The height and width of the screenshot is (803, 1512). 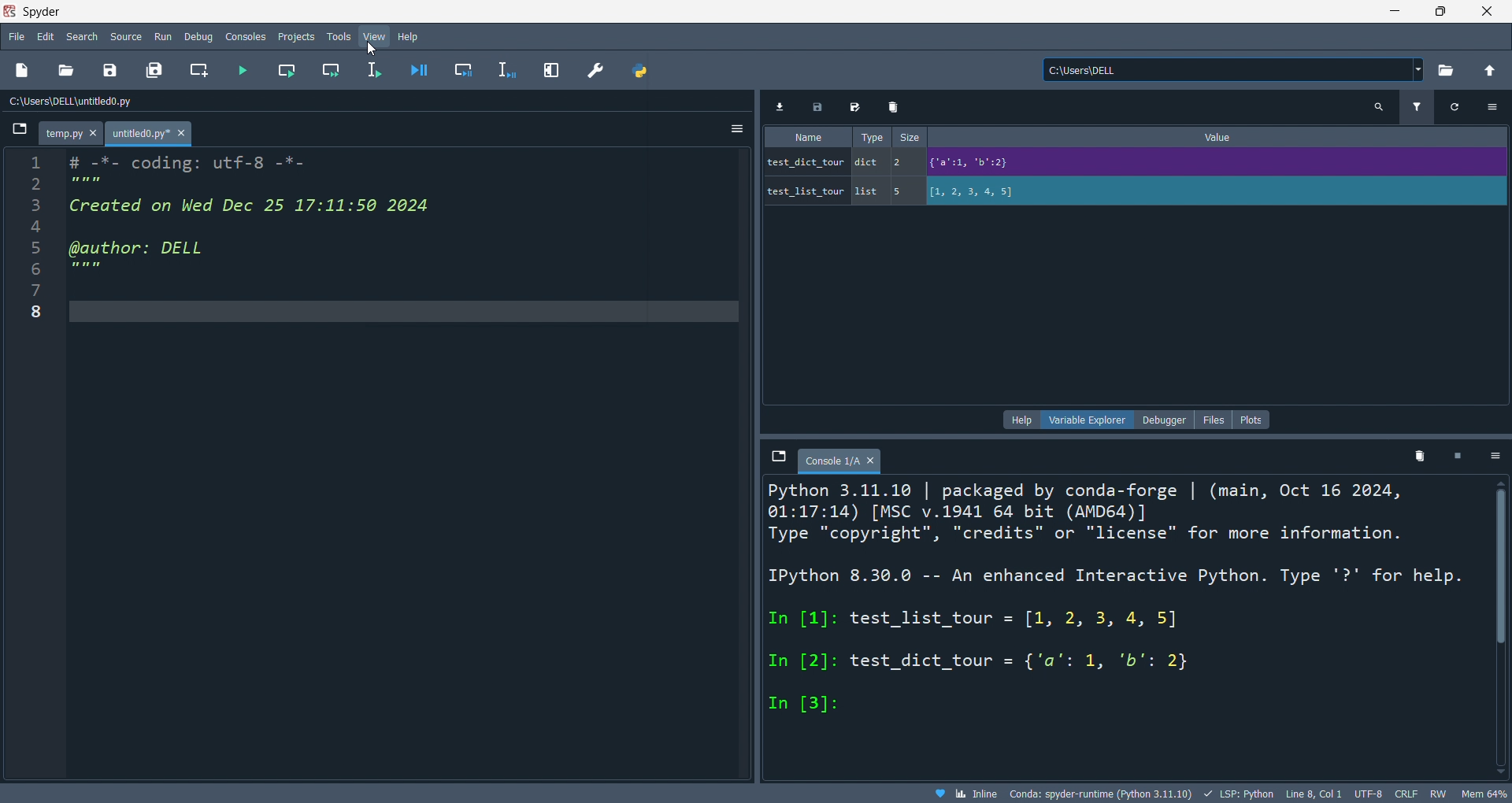 What do you see at coordinates (1091, 419) in the screenshot?
I see `variable explorer` at bounding box center [1091, 419].